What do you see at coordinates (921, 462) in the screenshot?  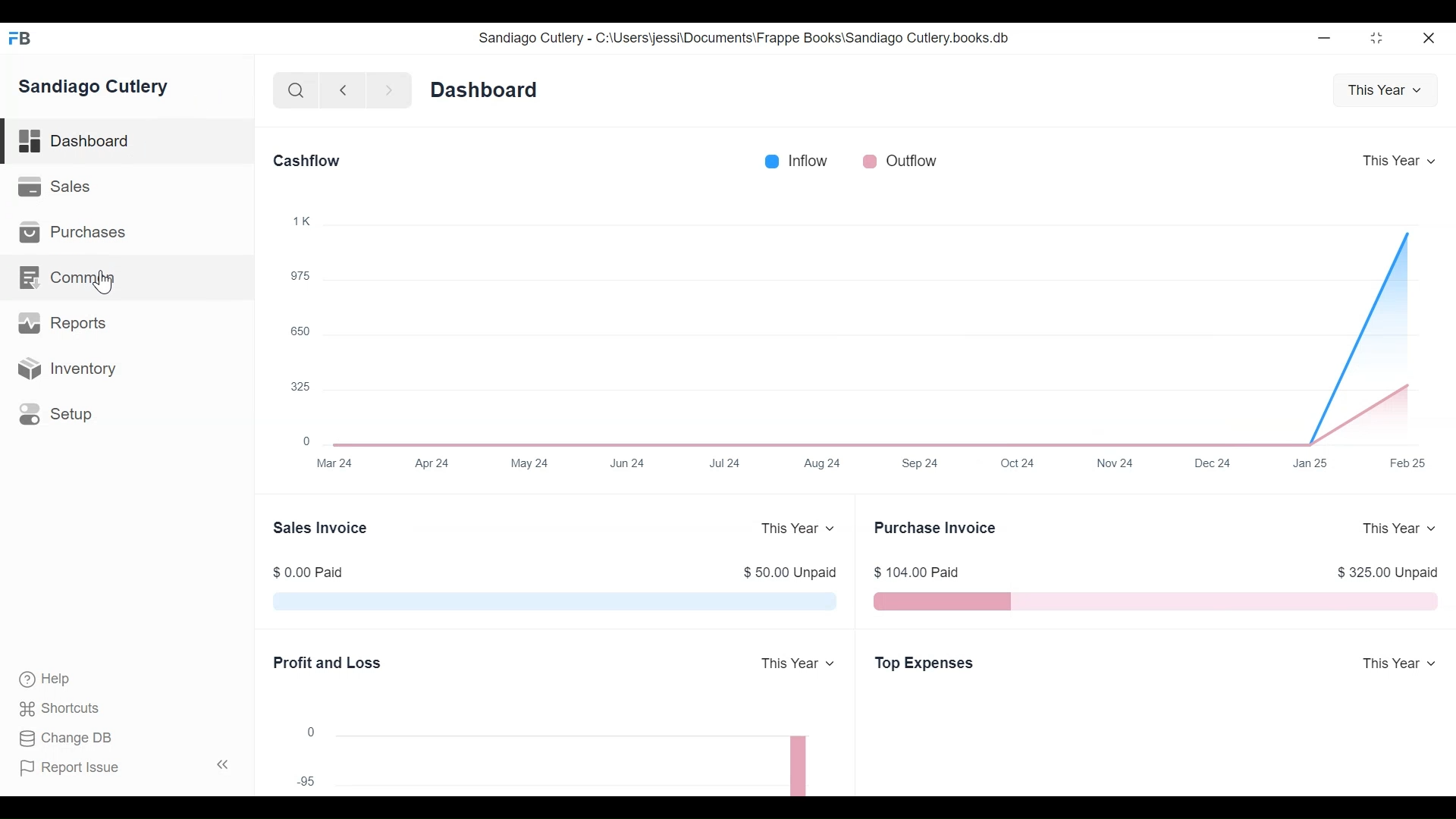 I see `Sep 24` at bounding box center [921, 462].